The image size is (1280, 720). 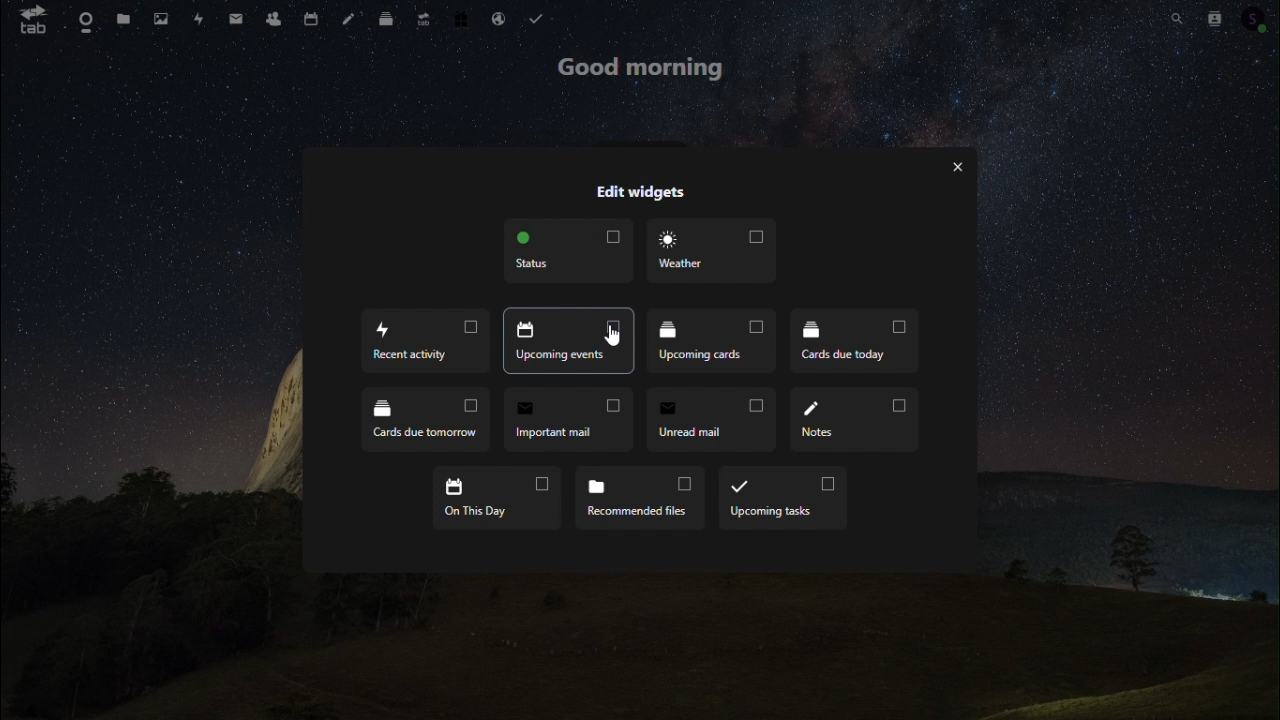 What do you see at coordinates (494, 496) in the screenshot?
I see `On this day` at bounding box center [494, 496].